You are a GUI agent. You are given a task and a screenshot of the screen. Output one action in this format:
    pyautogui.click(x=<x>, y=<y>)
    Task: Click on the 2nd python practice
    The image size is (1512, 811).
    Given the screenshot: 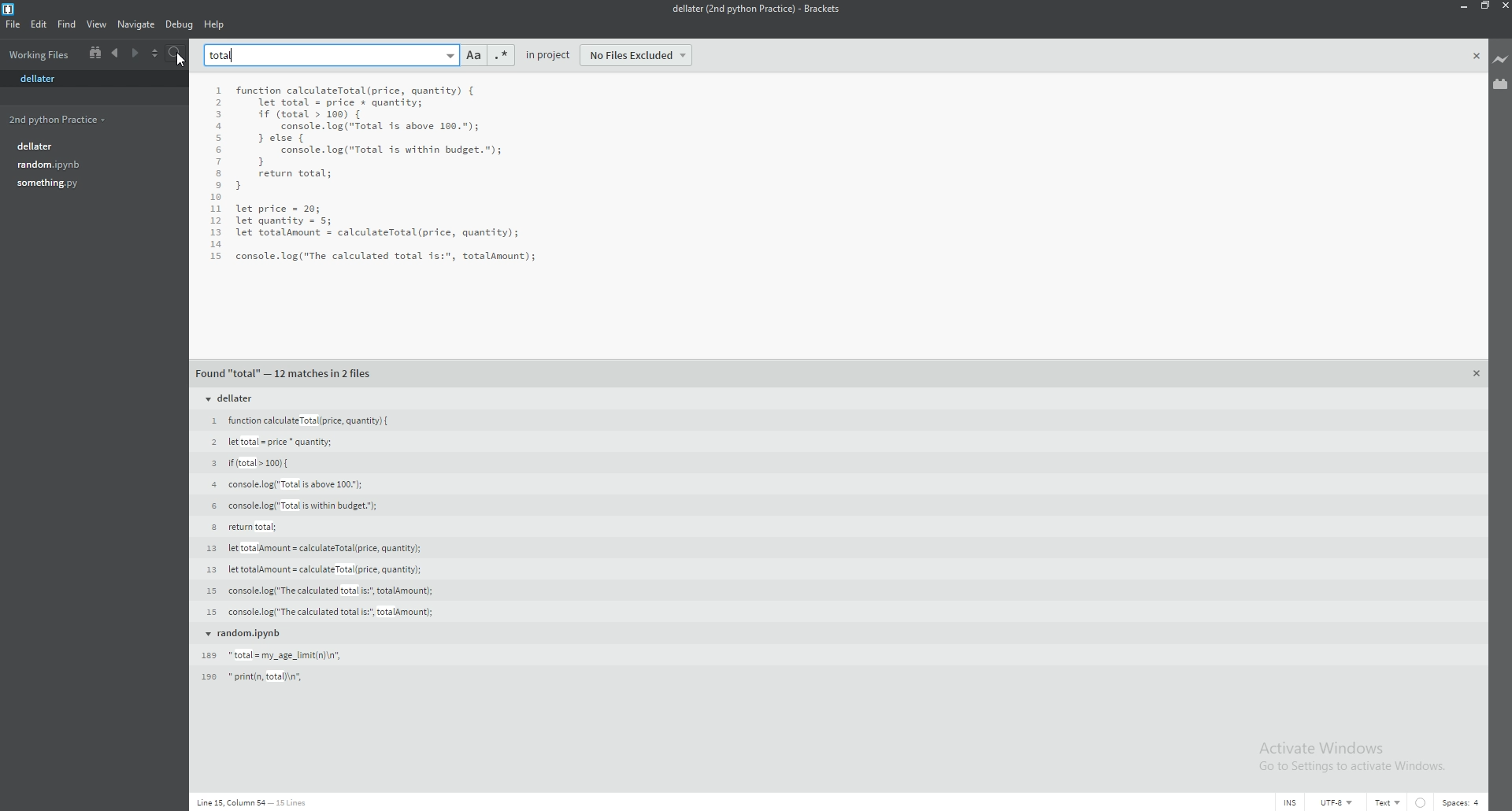 What is the action you would take?
    pyautogui.click(x=87, y=120)
    